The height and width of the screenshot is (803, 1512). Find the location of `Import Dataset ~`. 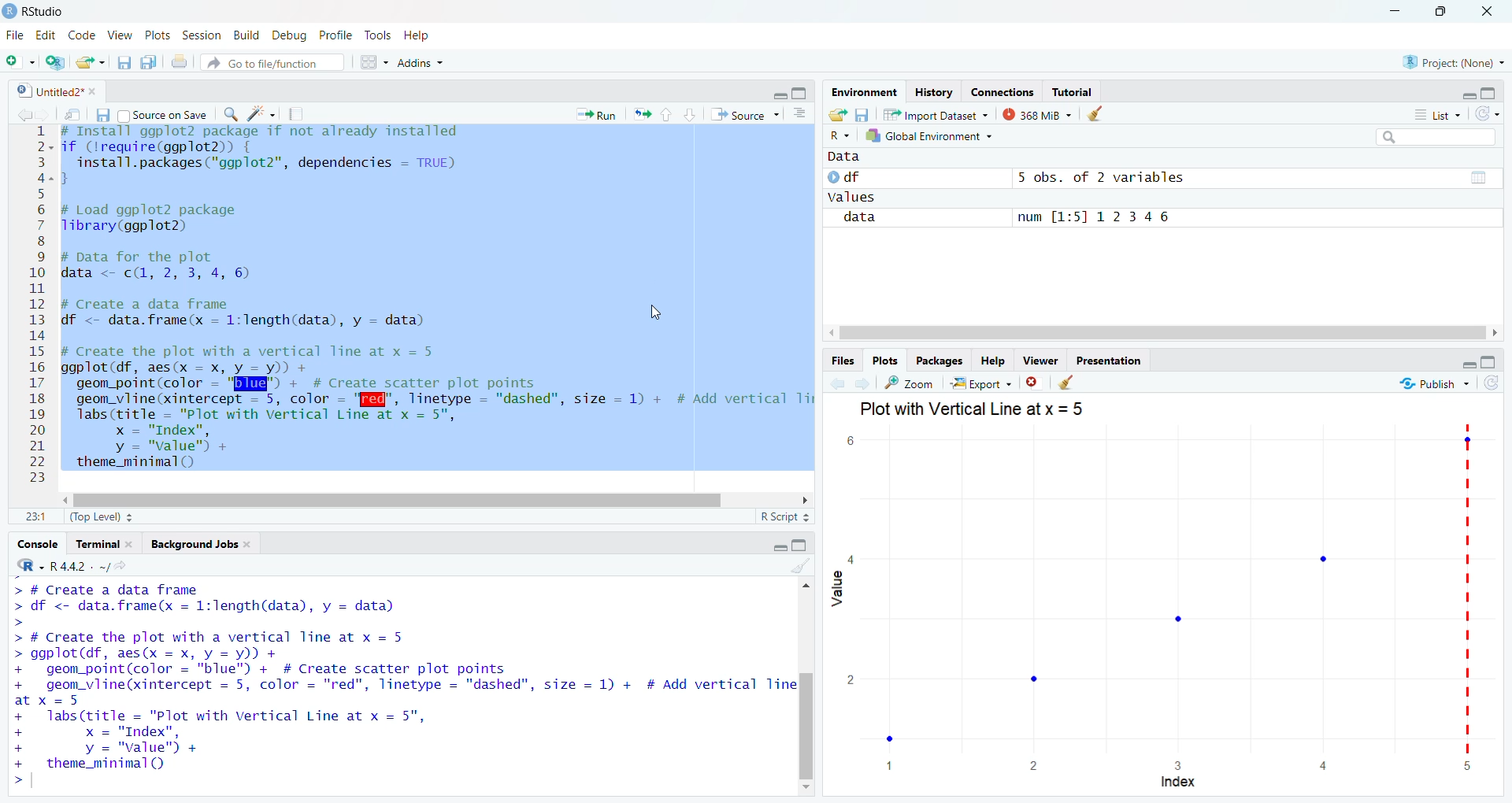

Import Dataset ~ is located at coordinates (937, 113).